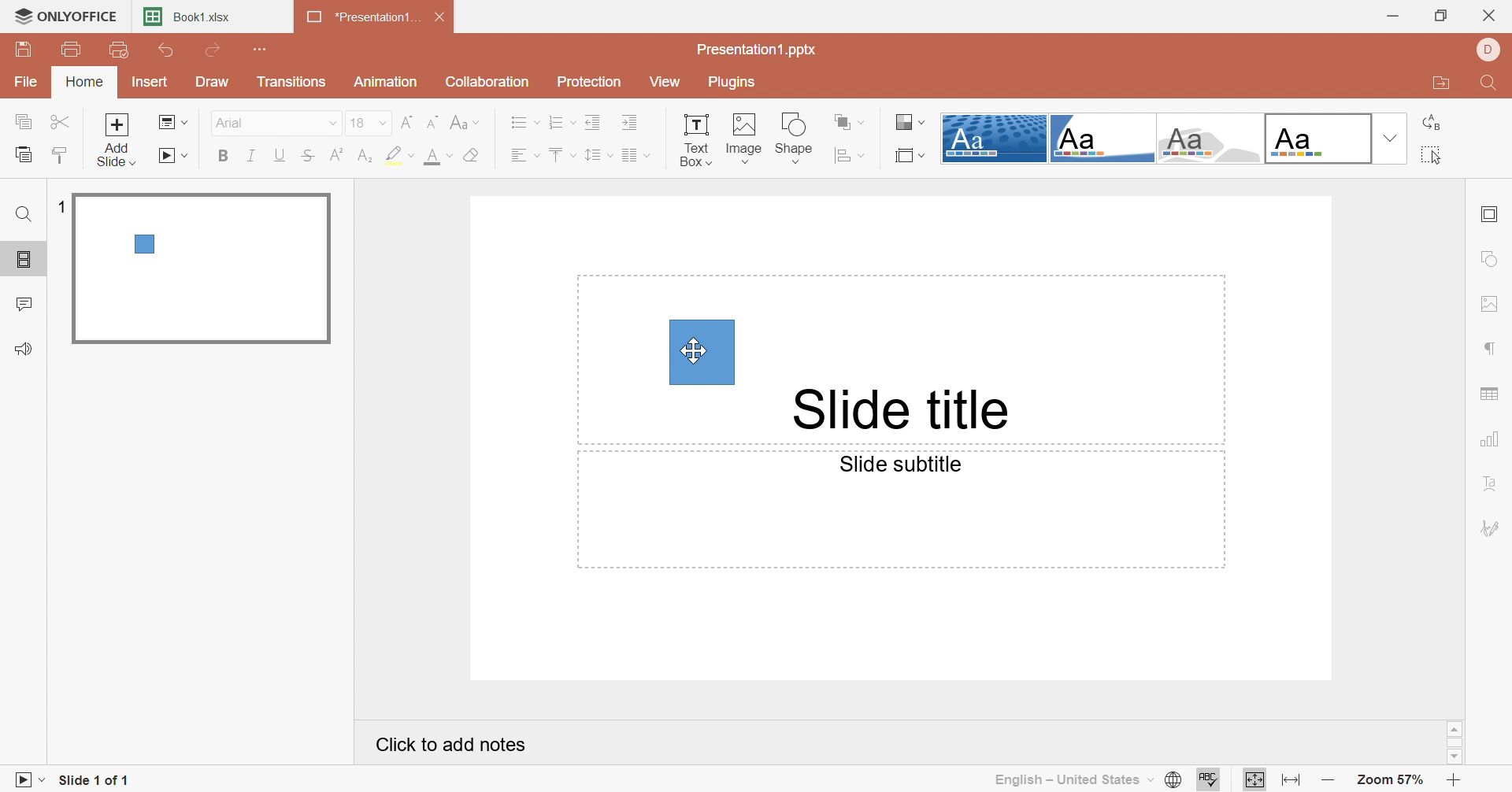  What do you see at coordinates (259, 50) in the screenshot?
I see `Customize quick access toolbar` at bounding box center [259, 50].